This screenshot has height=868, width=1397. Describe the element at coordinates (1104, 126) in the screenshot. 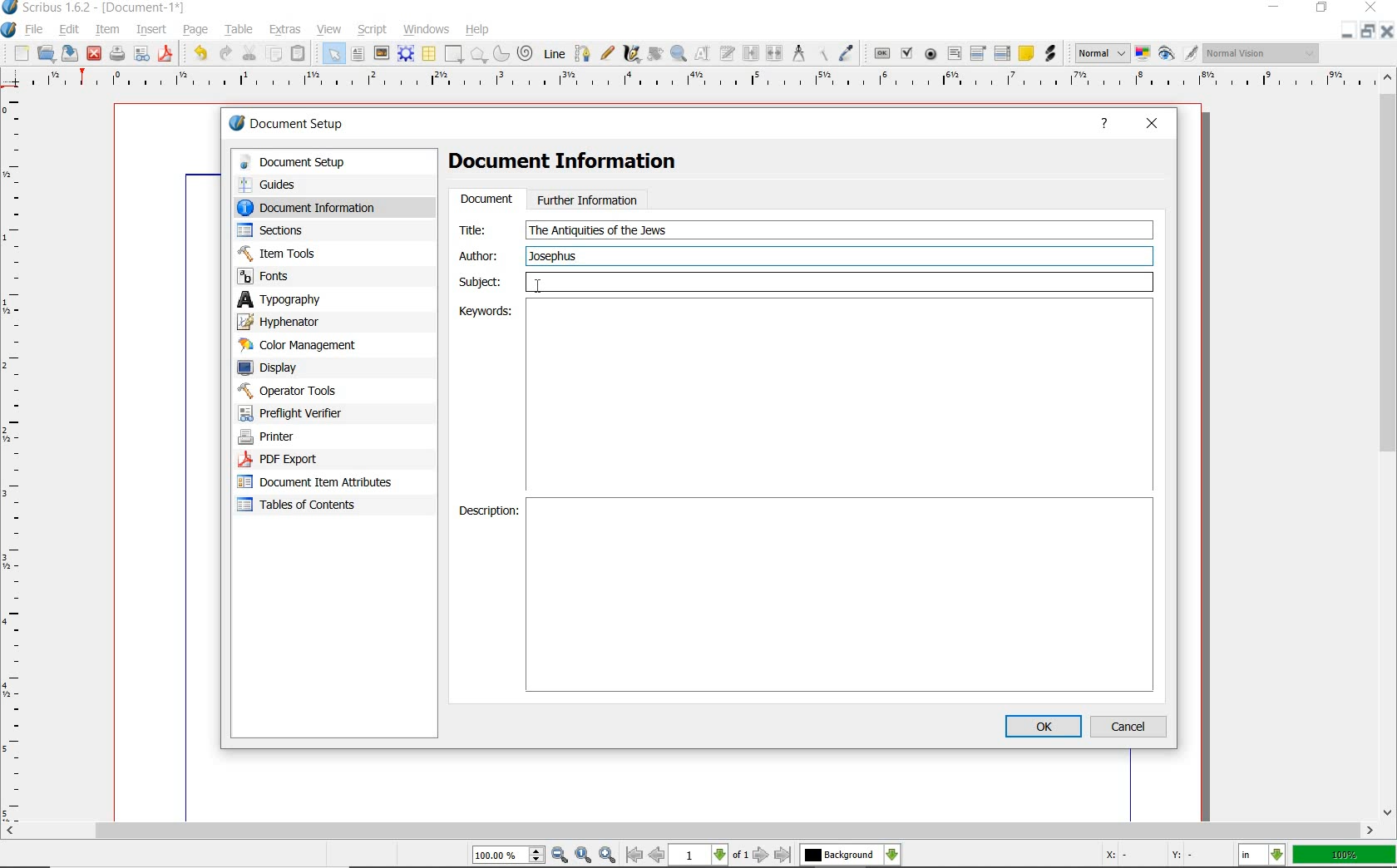

I see `help` at that location.